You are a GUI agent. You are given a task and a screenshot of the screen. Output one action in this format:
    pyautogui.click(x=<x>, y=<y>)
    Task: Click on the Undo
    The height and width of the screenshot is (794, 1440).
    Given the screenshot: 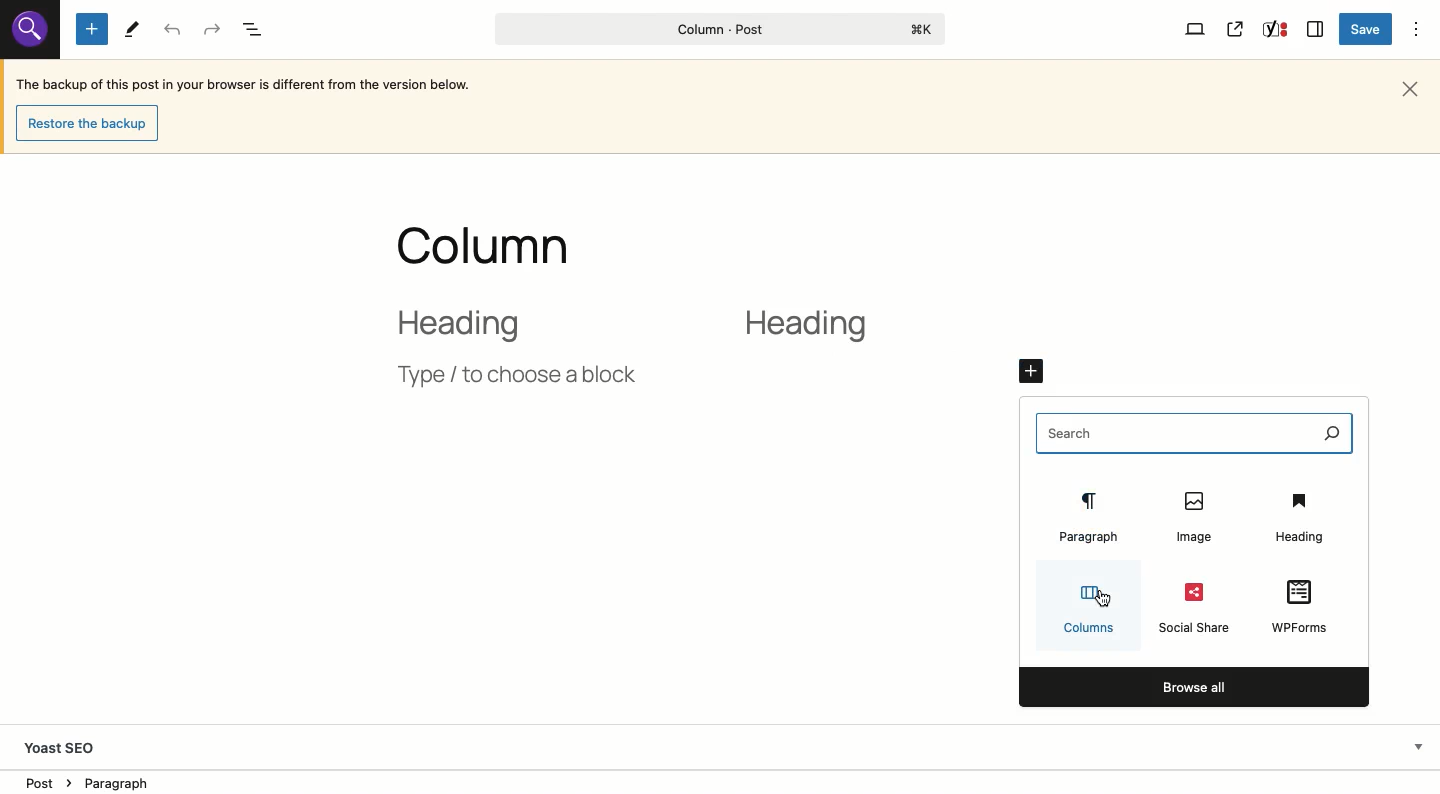 What is the action you would take?
    pyautogui.click(x=174, y=30)
    